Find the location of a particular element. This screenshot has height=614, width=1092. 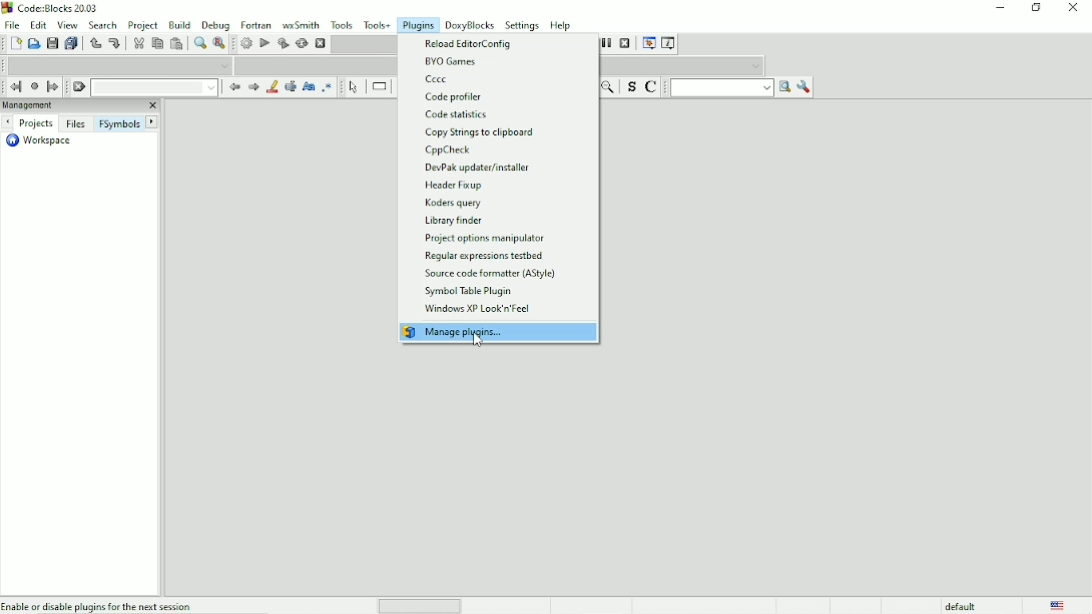

Prev is located at coordinates (233, 88).